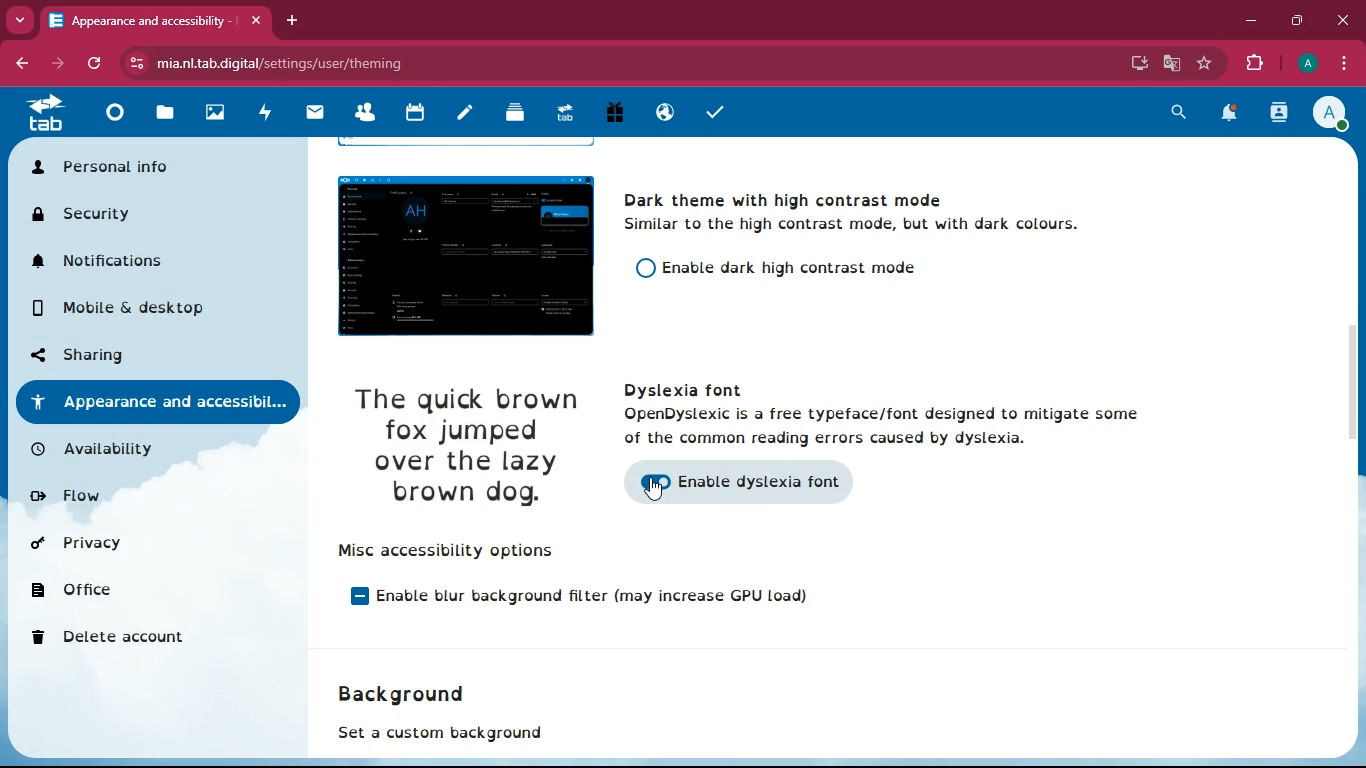 The width and height of the screenshot is (1366, 768). I want to click on desktop, so click(1137, 65).